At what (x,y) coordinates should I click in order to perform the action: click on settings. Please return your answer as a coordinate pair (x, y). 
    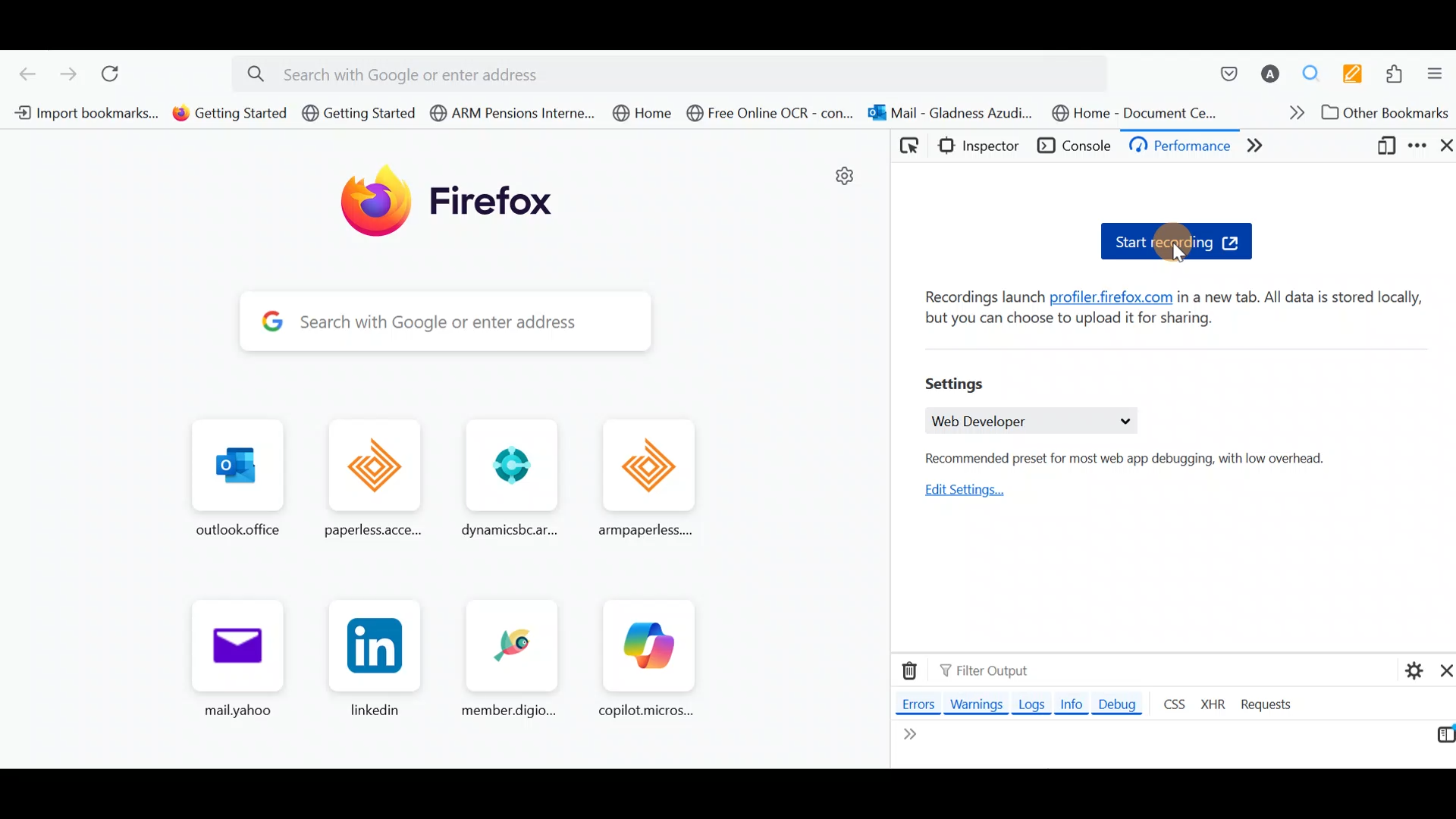
    Looking at the image, I should click on (844, 178).